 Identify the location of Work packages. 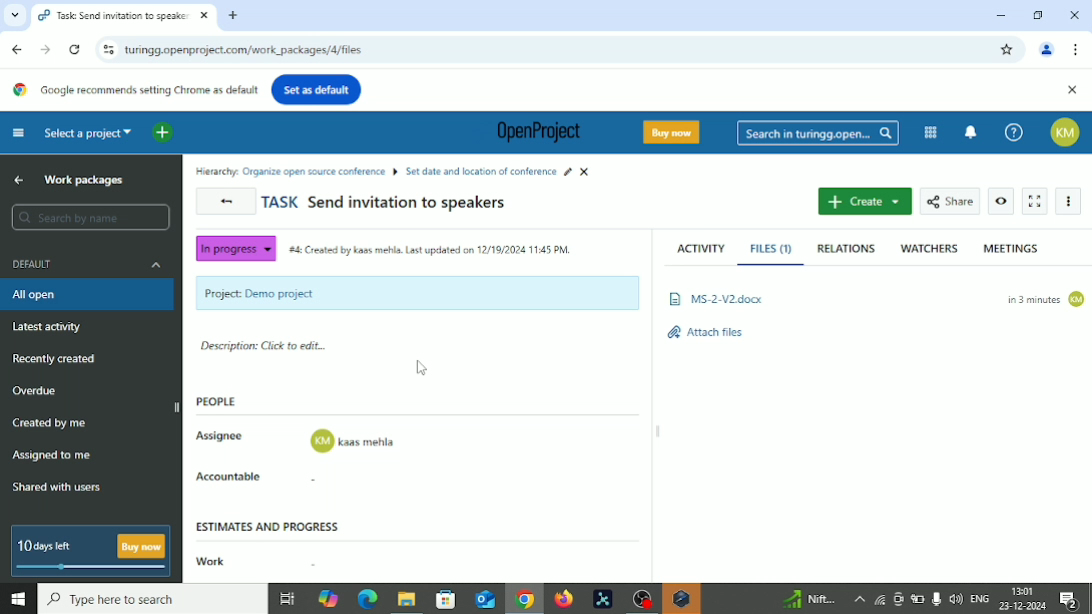
(90, 180).